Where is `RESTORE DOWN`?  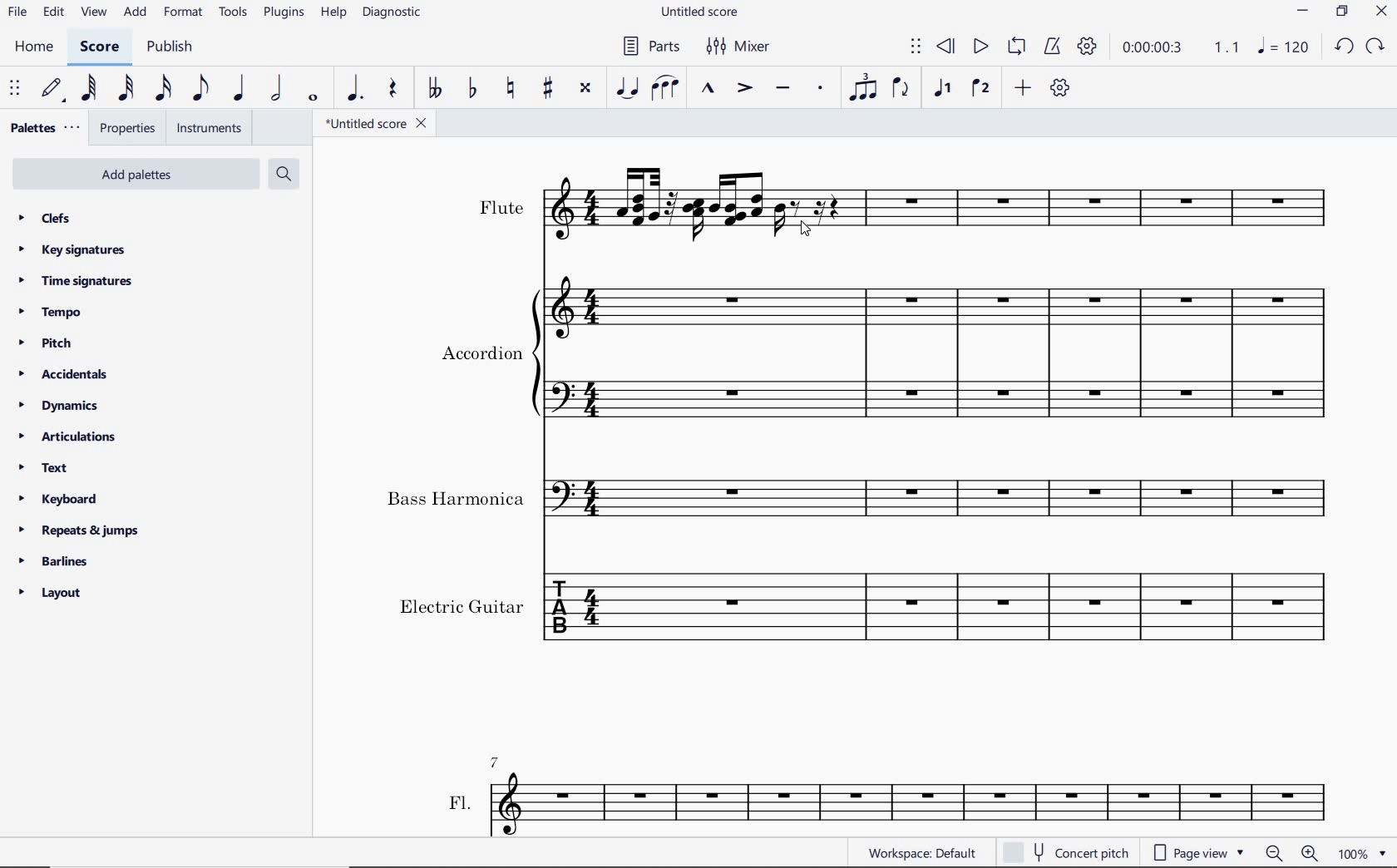 RESTORE DOWN is located at coordinates (1341, 12).